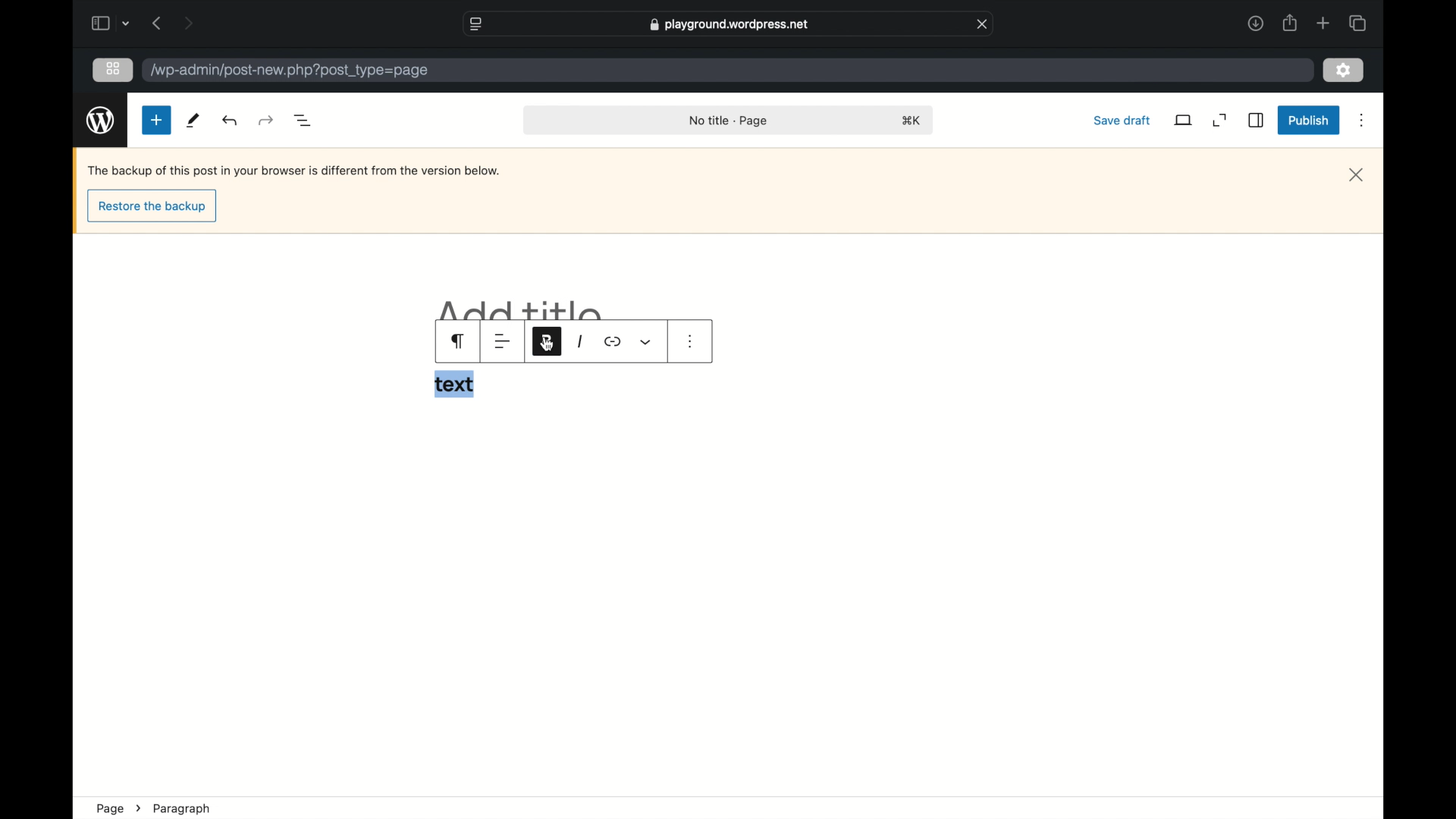  I want to click on italic, so click(579, 342).